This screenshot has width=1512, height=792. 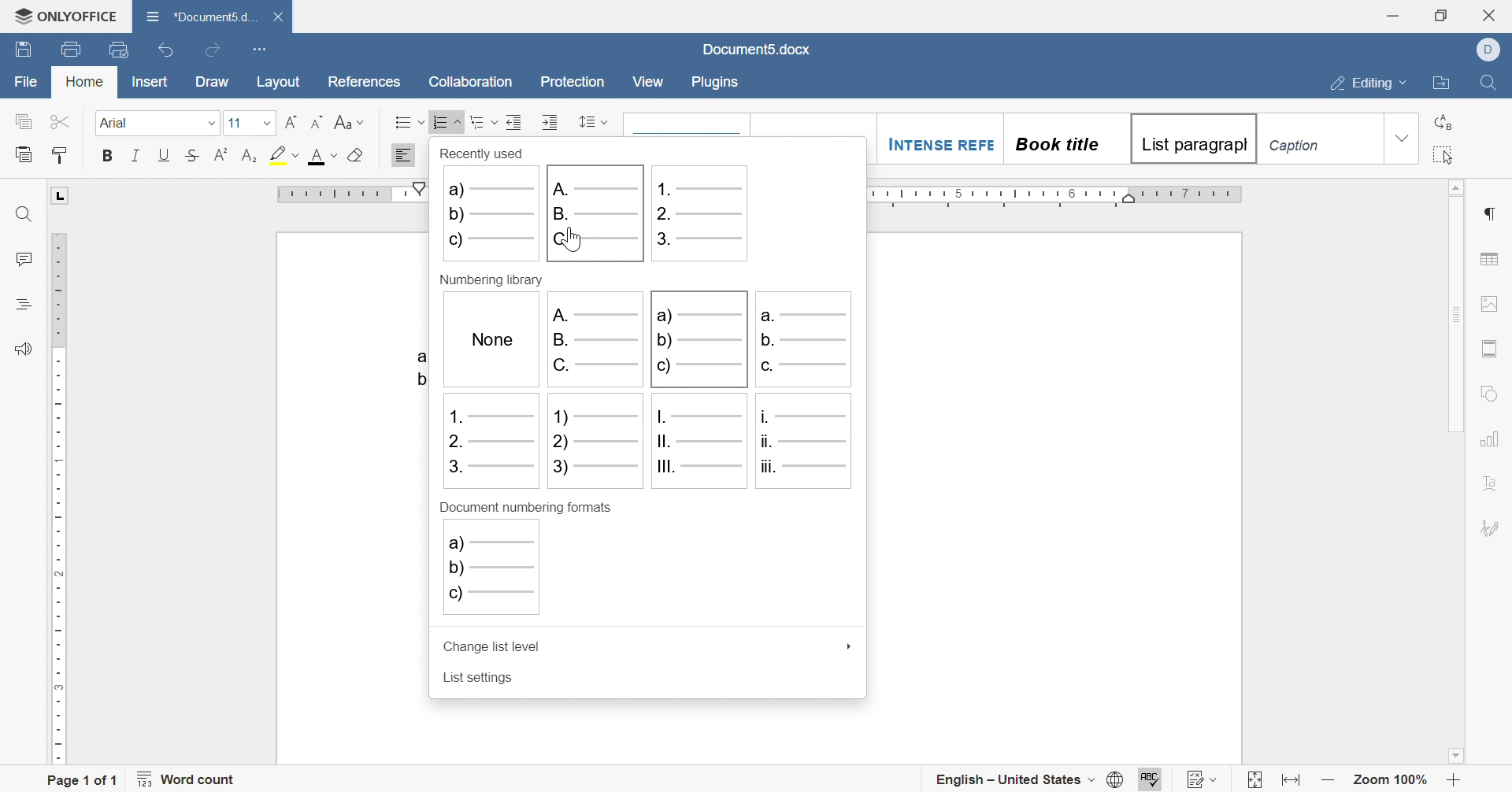 What do you see at coordinates (850, 646) in the screenshot?
I see `drop down` at bounding box center [850, 646].